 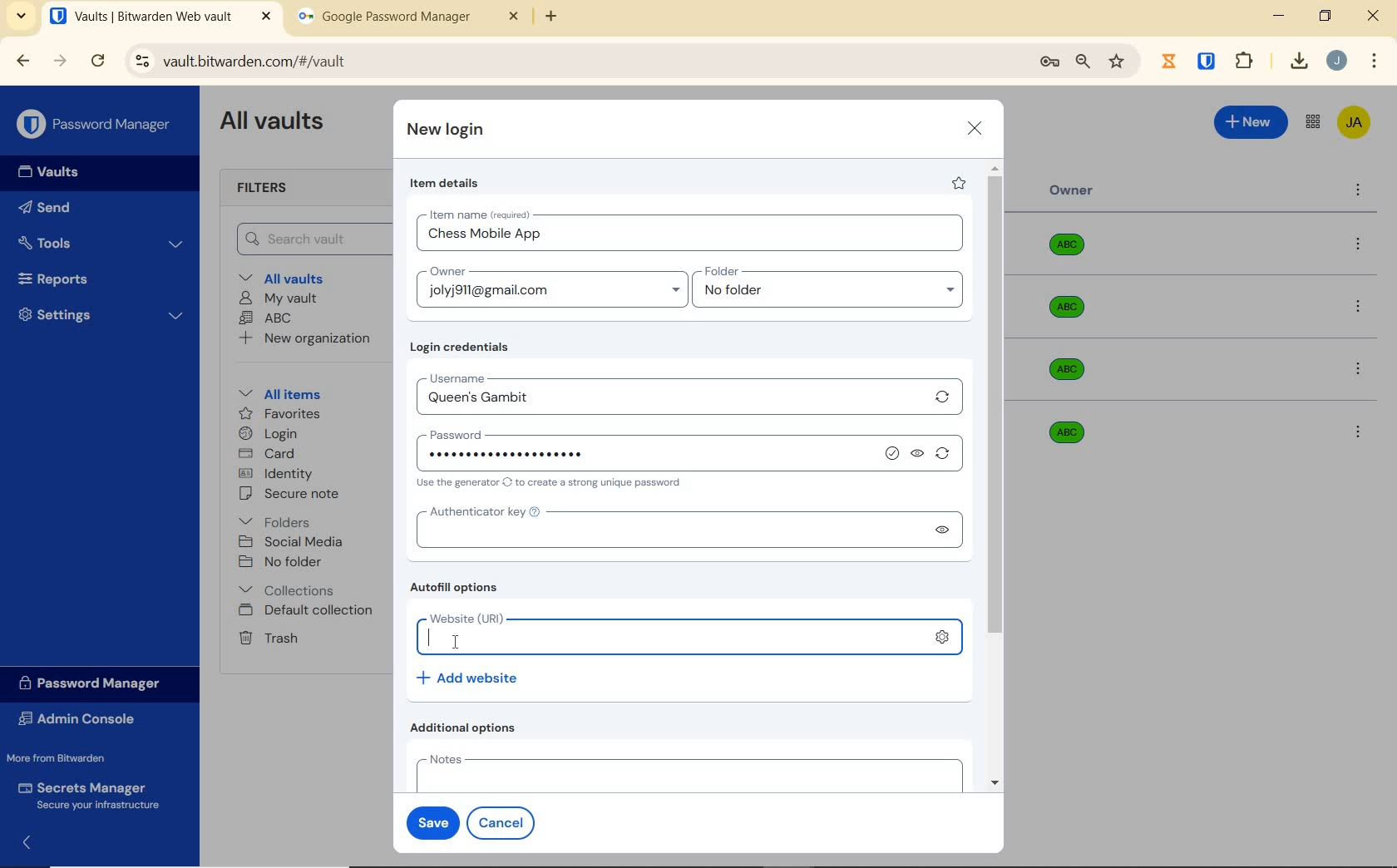 I want to click on good, so click(x=894, y=454).